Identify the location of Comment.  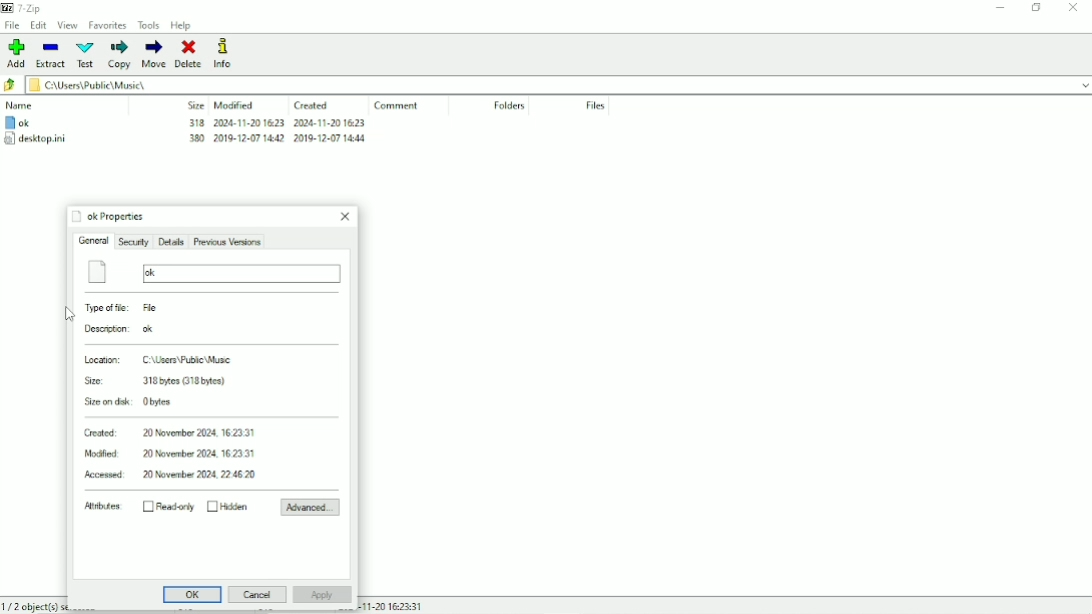
(396, 106).